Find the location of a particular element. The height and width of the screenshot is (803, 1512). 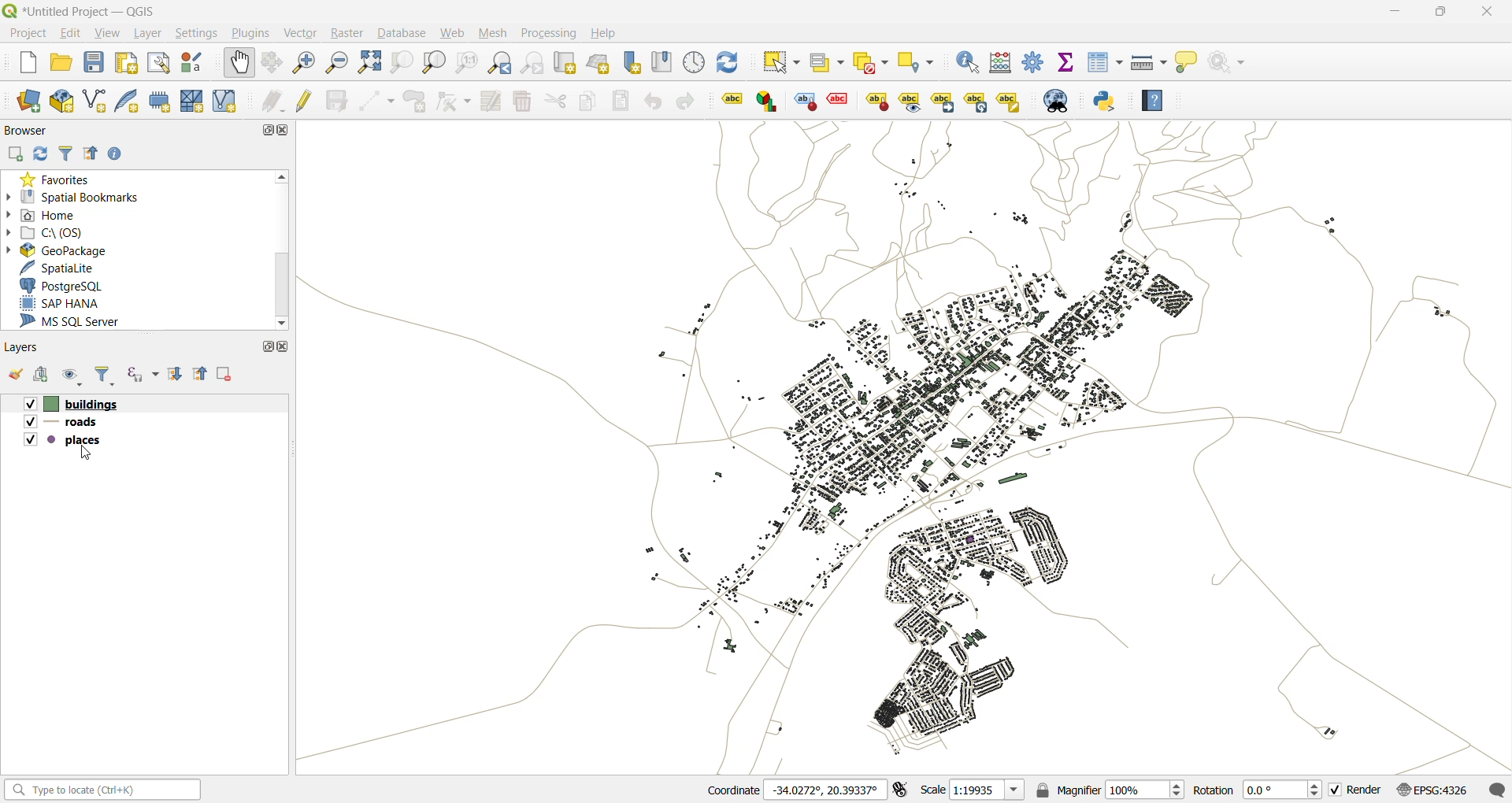

show tips is located at coordinates (1189, 64).